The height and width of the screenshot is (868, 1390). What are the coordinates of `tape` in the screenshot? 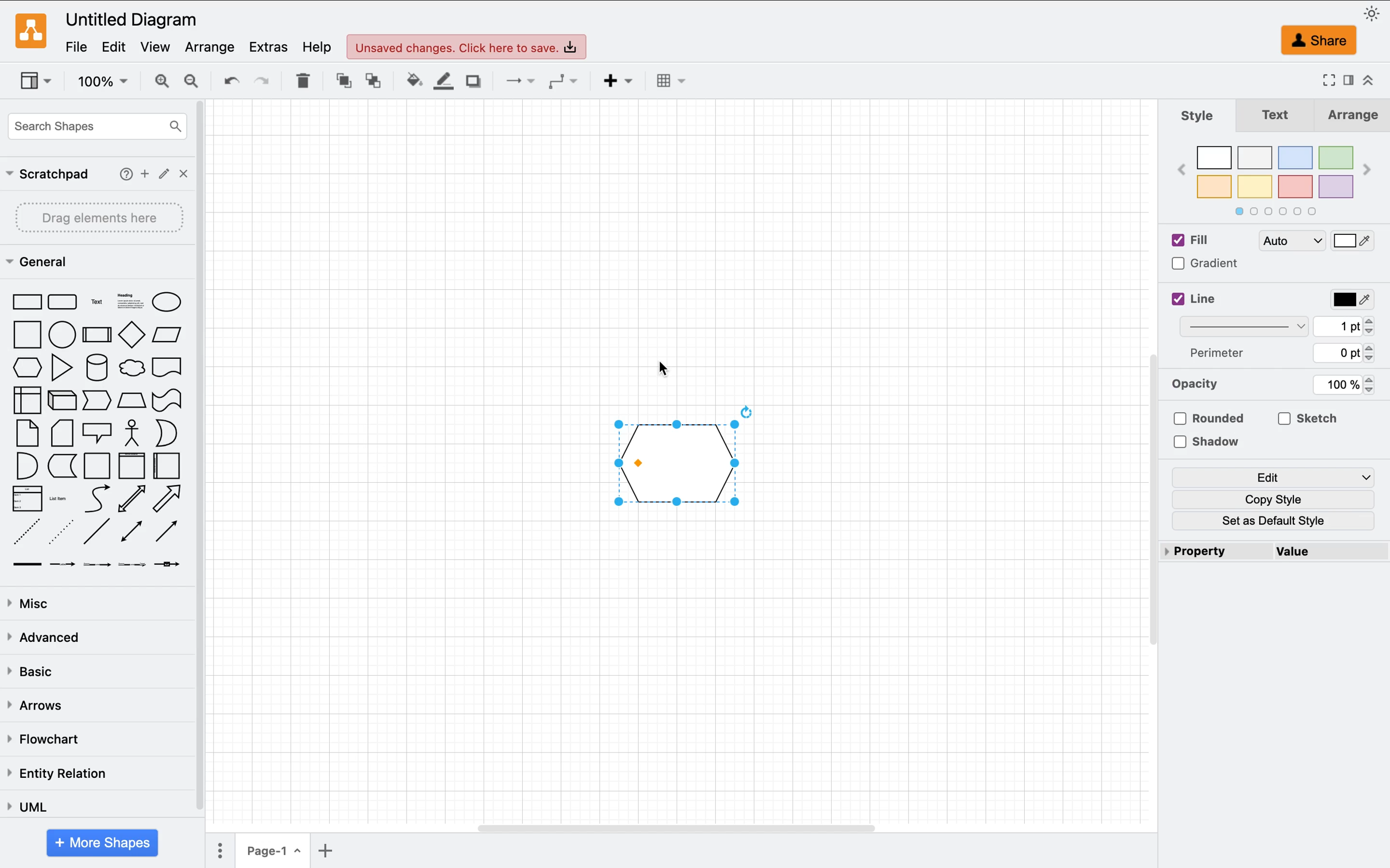 It's located at (171, 400).